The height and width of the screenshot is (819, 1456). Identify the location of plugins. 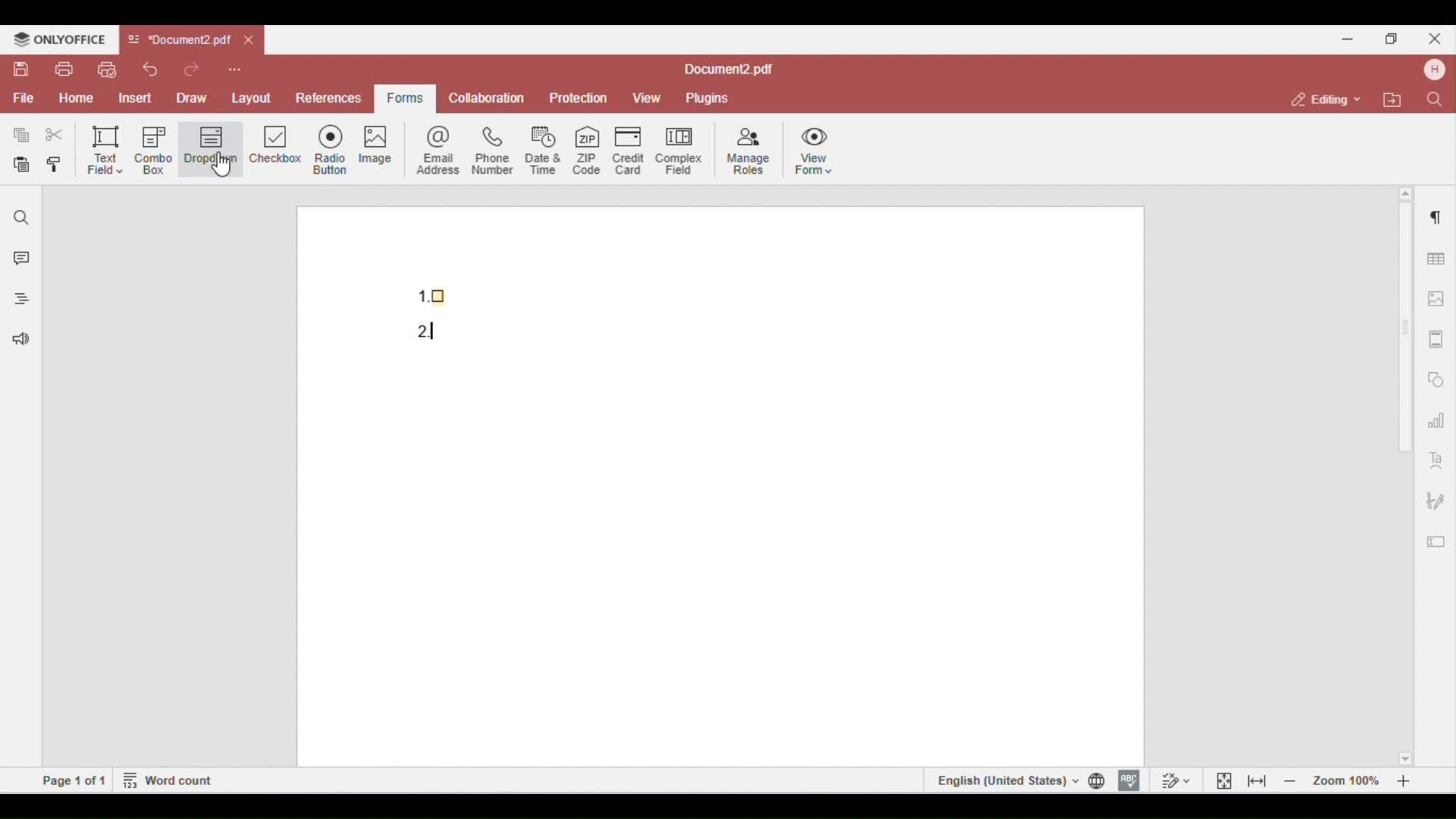
(706, 99).